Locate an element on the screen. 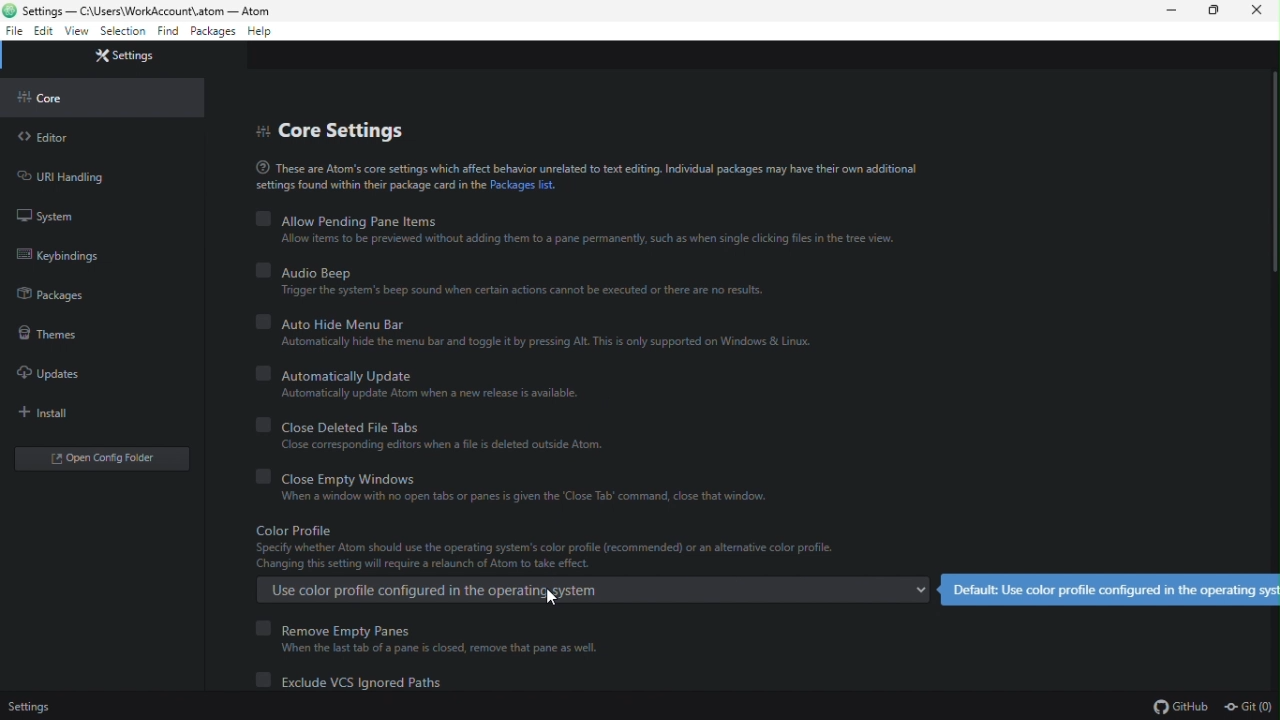 This screenshot has height=720, width=1280. find  is located at coordinates (168, 32).